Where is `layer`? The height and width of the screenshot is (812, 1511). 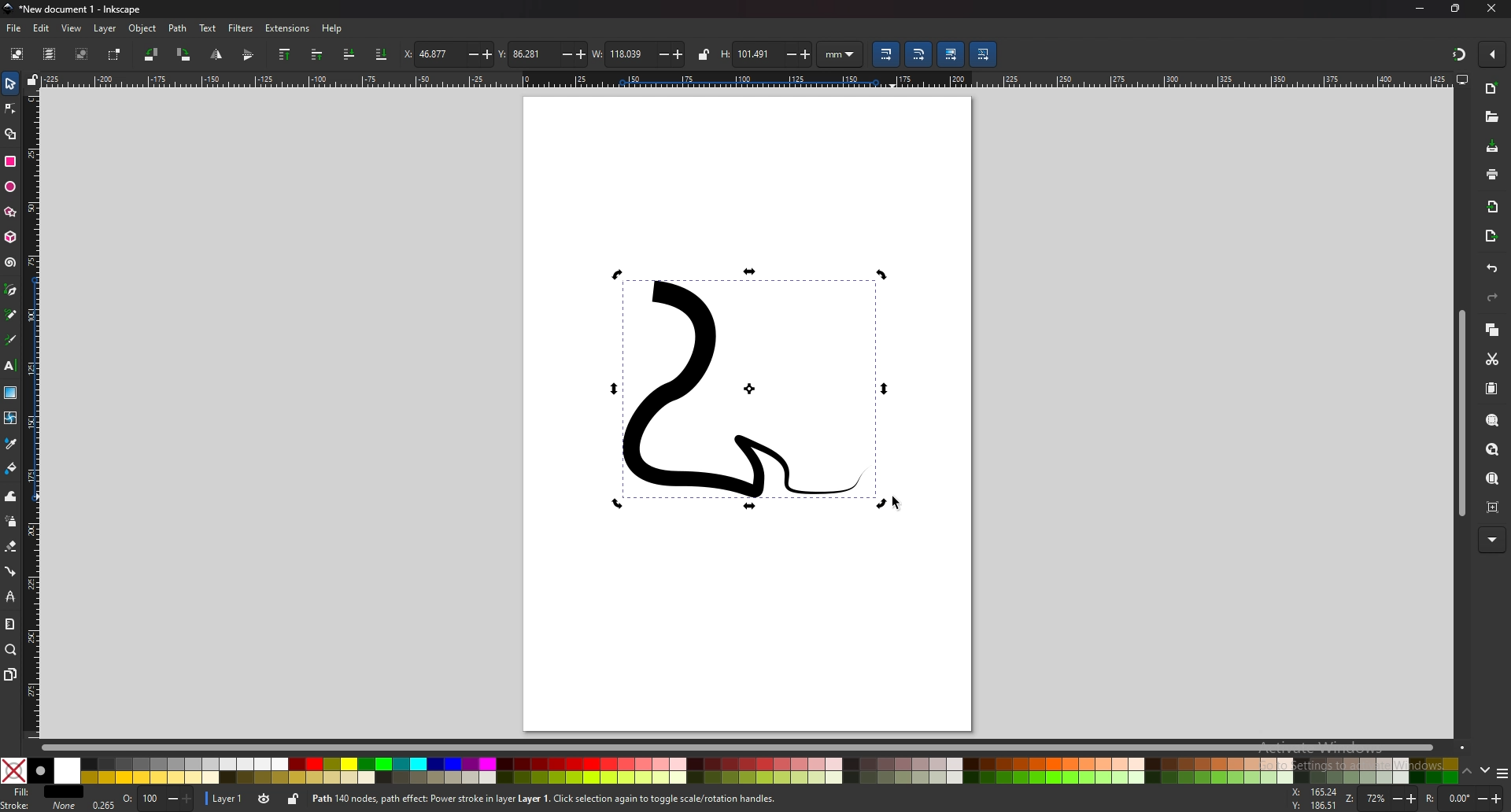
layer is located at coordinates (105, 28).